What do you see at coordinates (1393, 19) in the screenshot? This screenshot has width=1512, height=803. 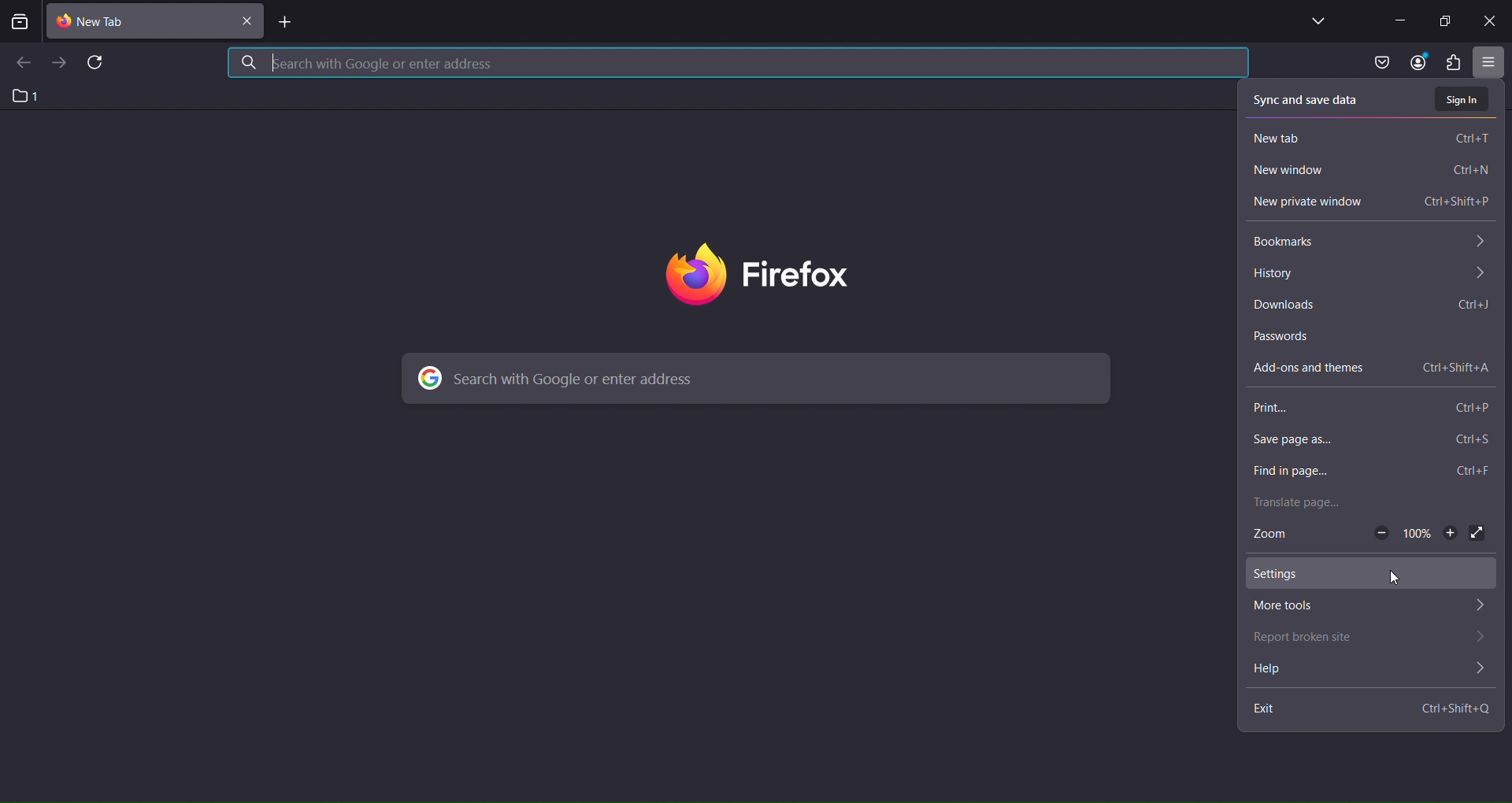 I see `minimize` at bounding box center [1393, 19].